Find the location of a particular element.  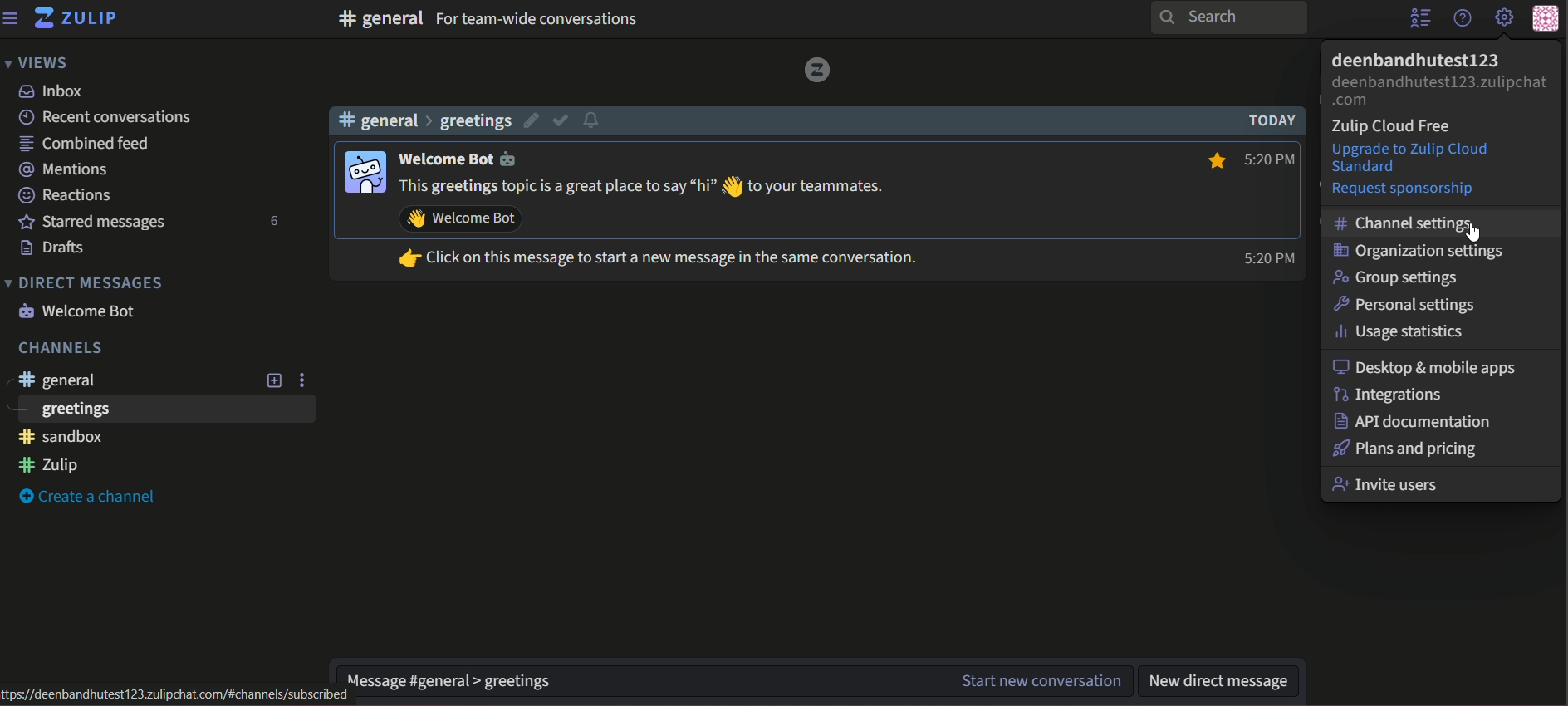

zulip is located at coordinates (50, 465).